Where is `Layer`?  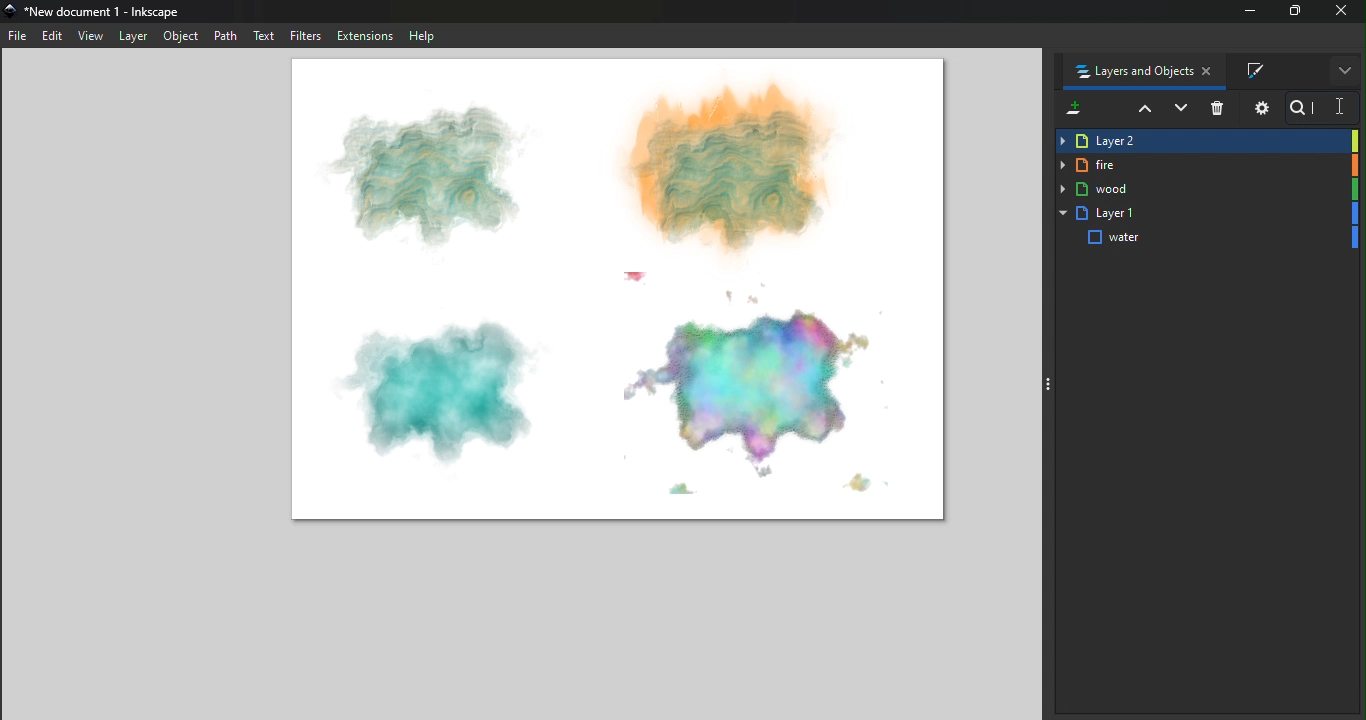
Layer is located at coordinates (132, 35).